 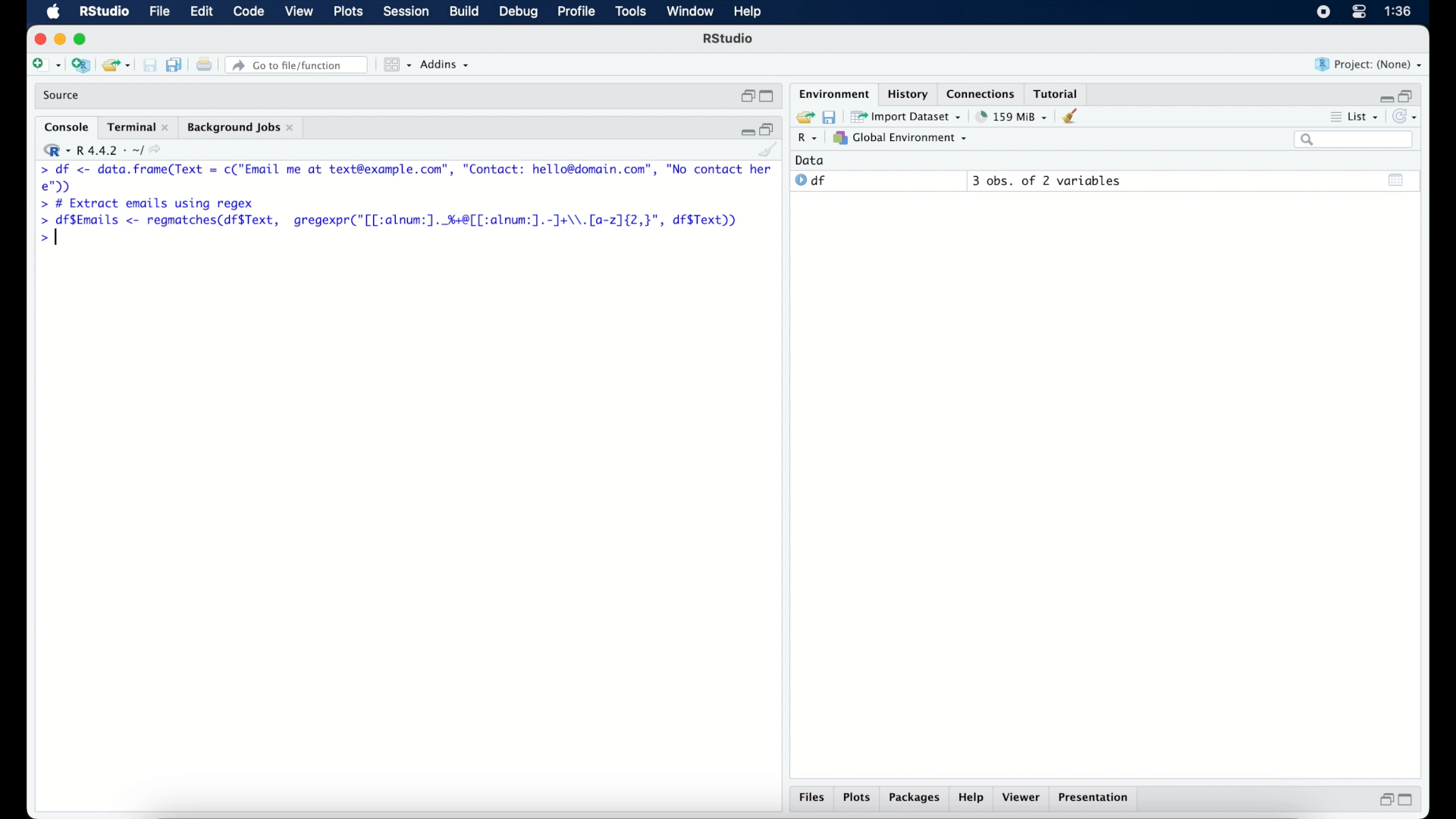 I want to click on R, so click(x=806, y=139).